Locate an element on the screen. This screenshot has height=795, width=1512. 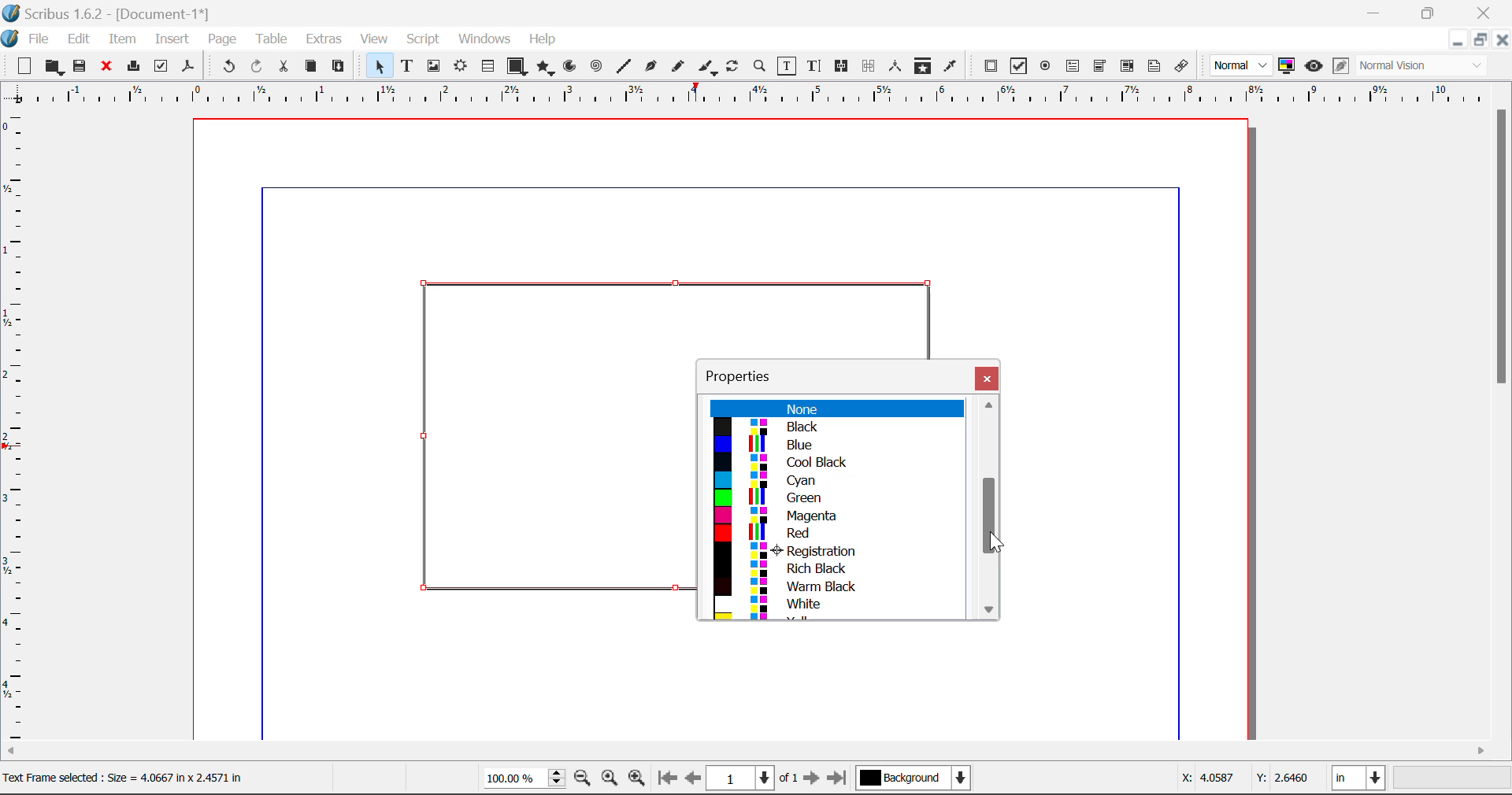
None is located at coordinates (836, 409).